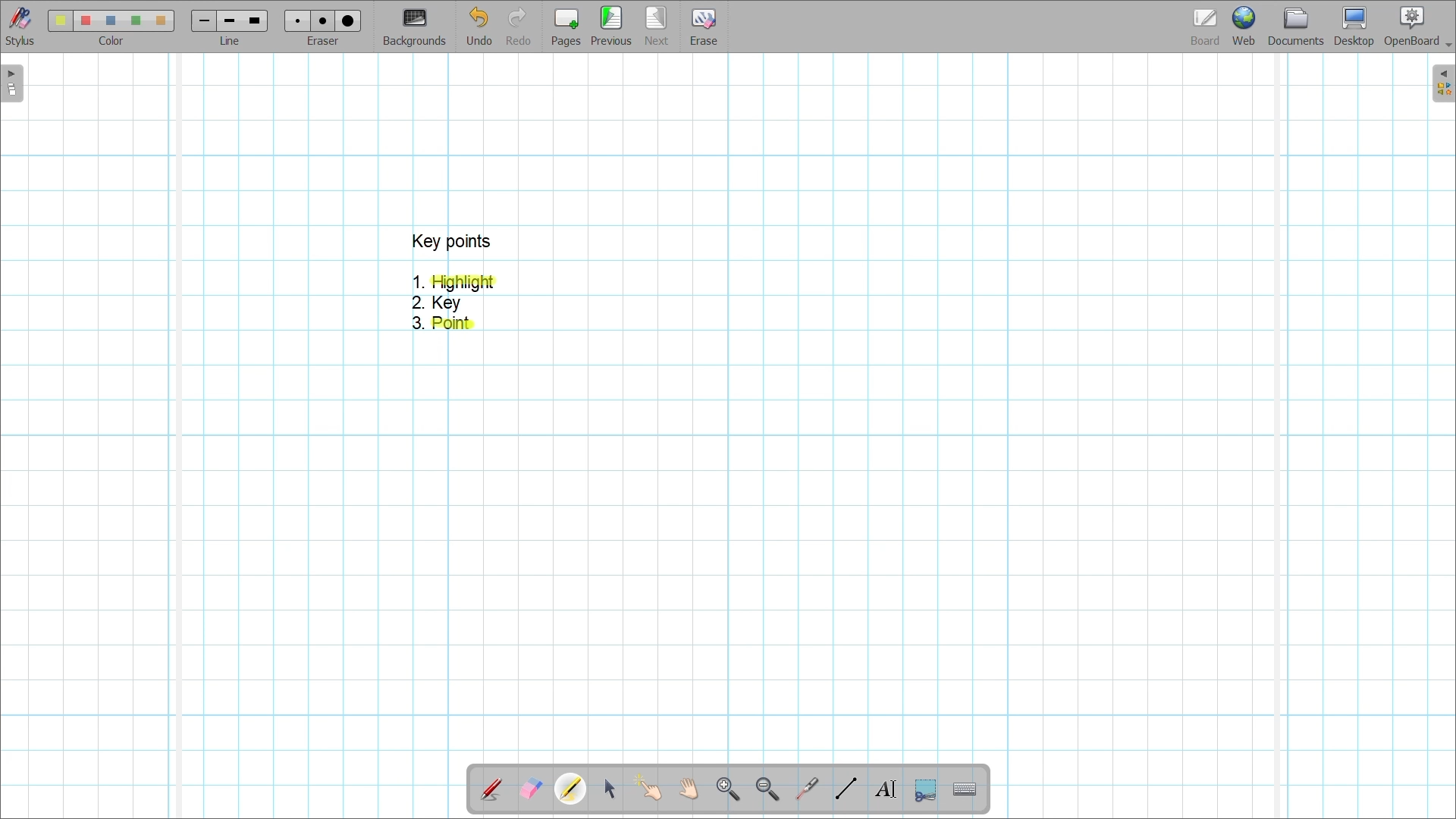 The image size is (1456, 819). I want to click on Eraser 1, so click(297, 20).